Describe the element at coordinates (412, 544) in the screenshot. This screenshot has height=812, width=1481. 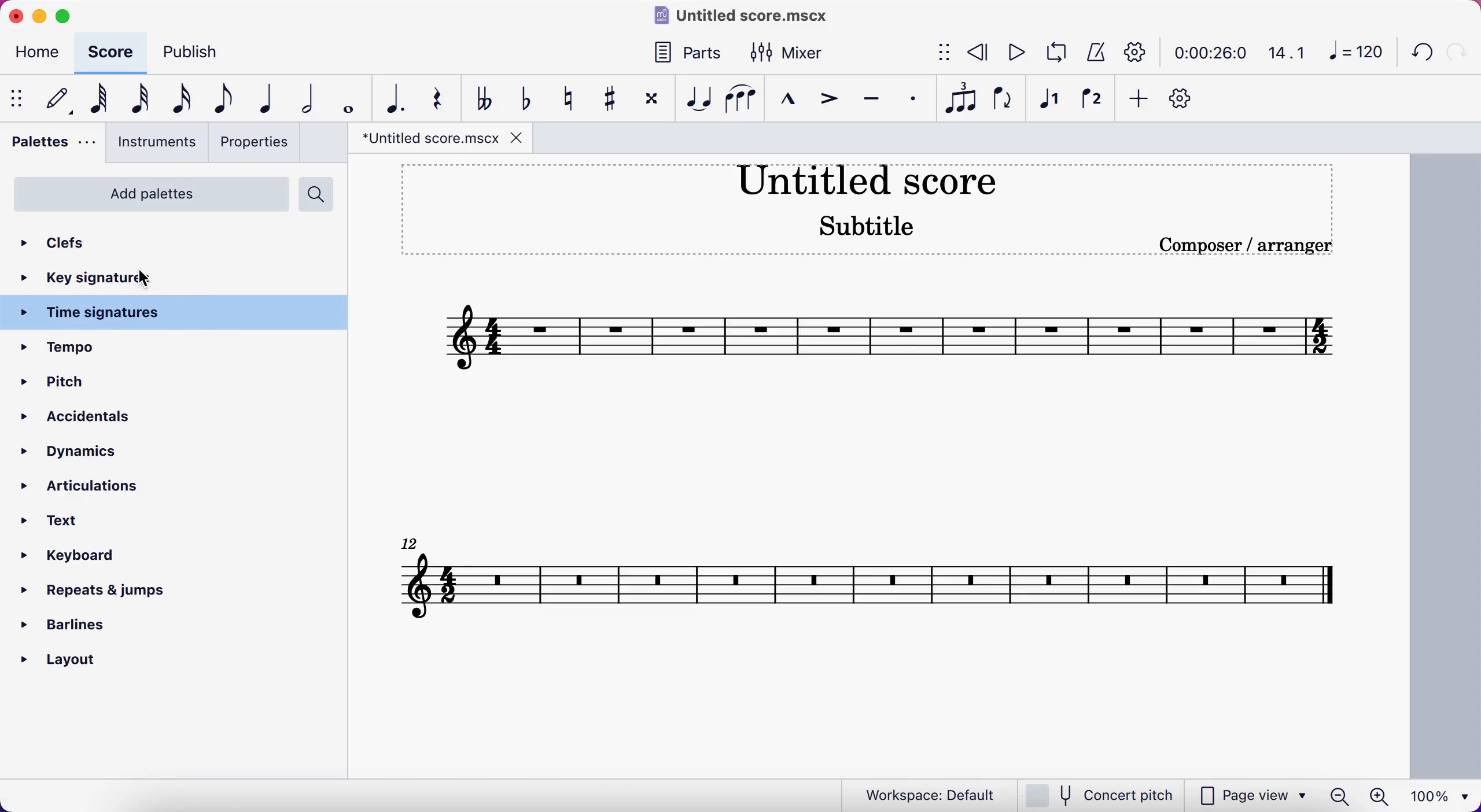
I see `` at that location.